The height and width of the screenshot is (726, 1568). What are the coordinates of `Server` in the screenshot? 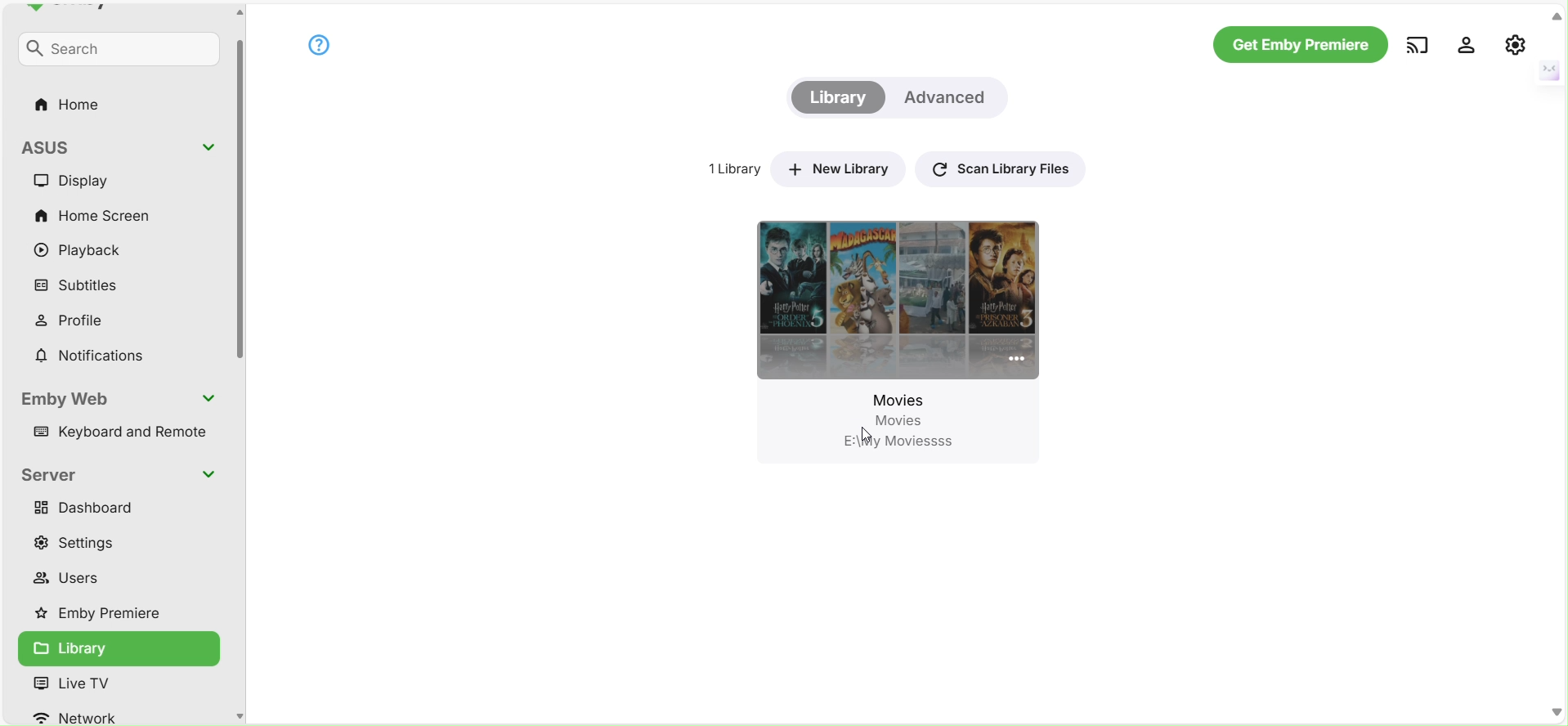 It's located at (56, 476).